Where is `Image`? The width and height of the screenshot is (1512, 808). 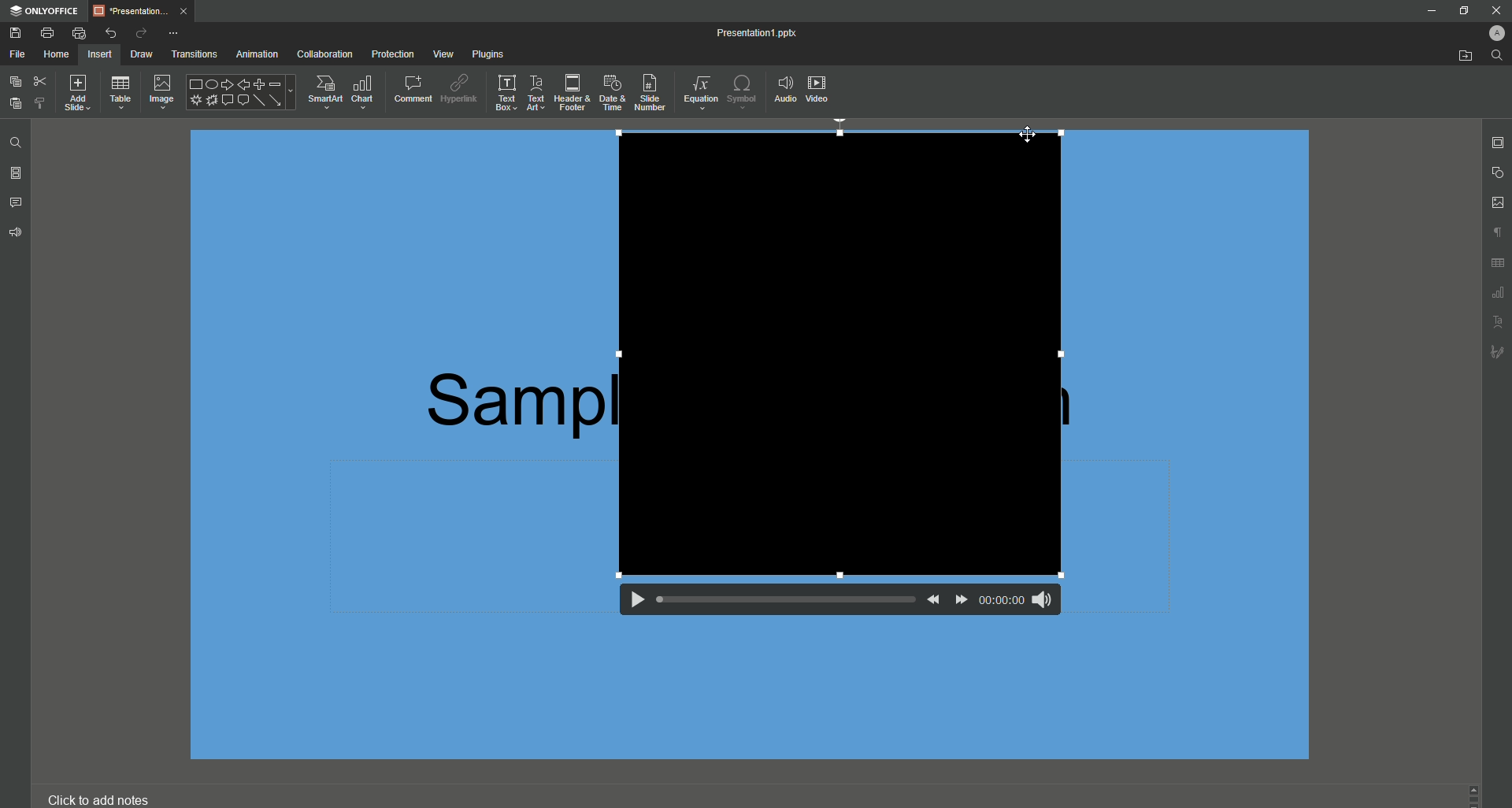 Image is located at coordinates (160, 93).